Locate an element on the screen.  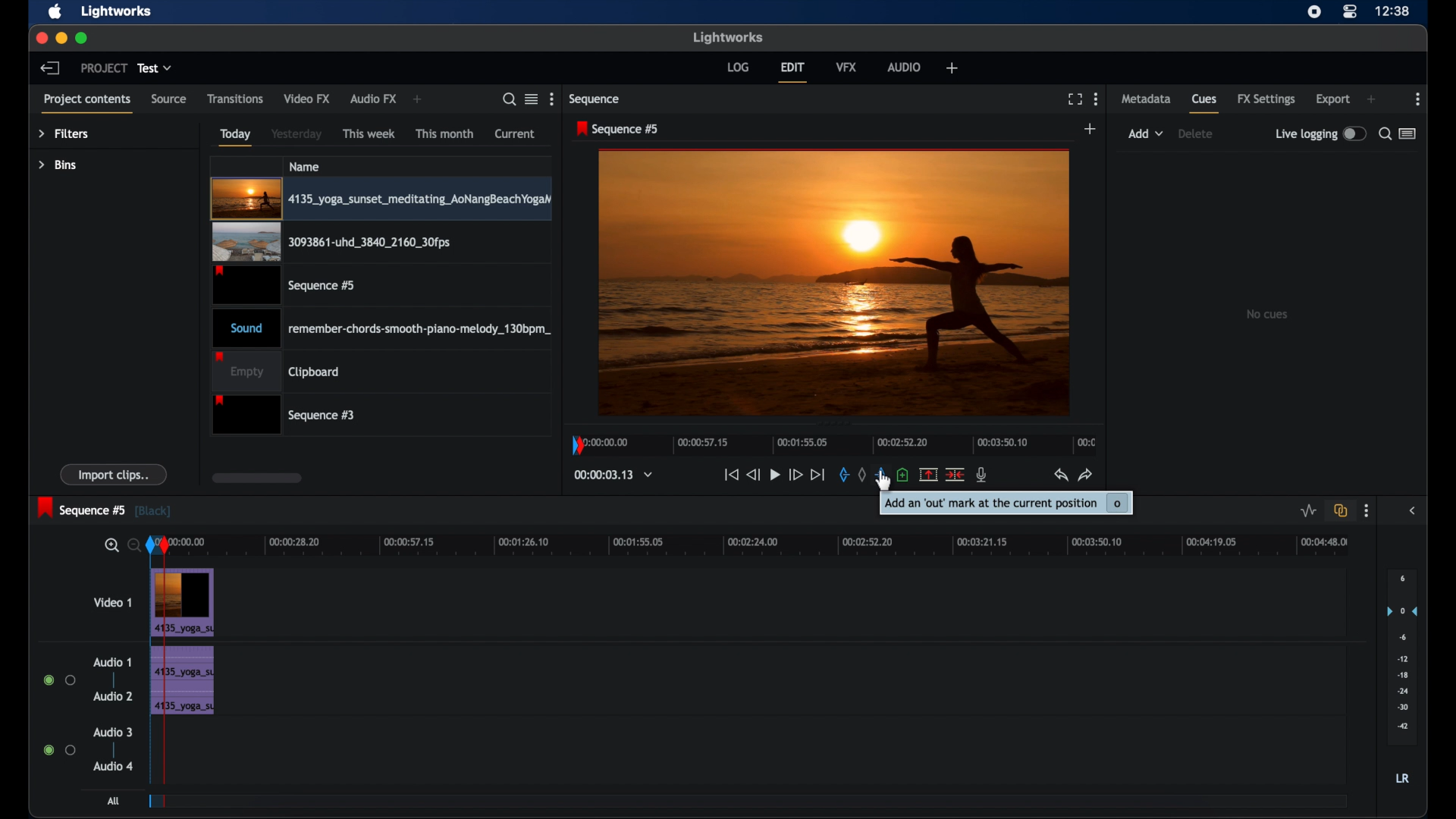
timecodes  and reels is located at coordinates (614, 475).